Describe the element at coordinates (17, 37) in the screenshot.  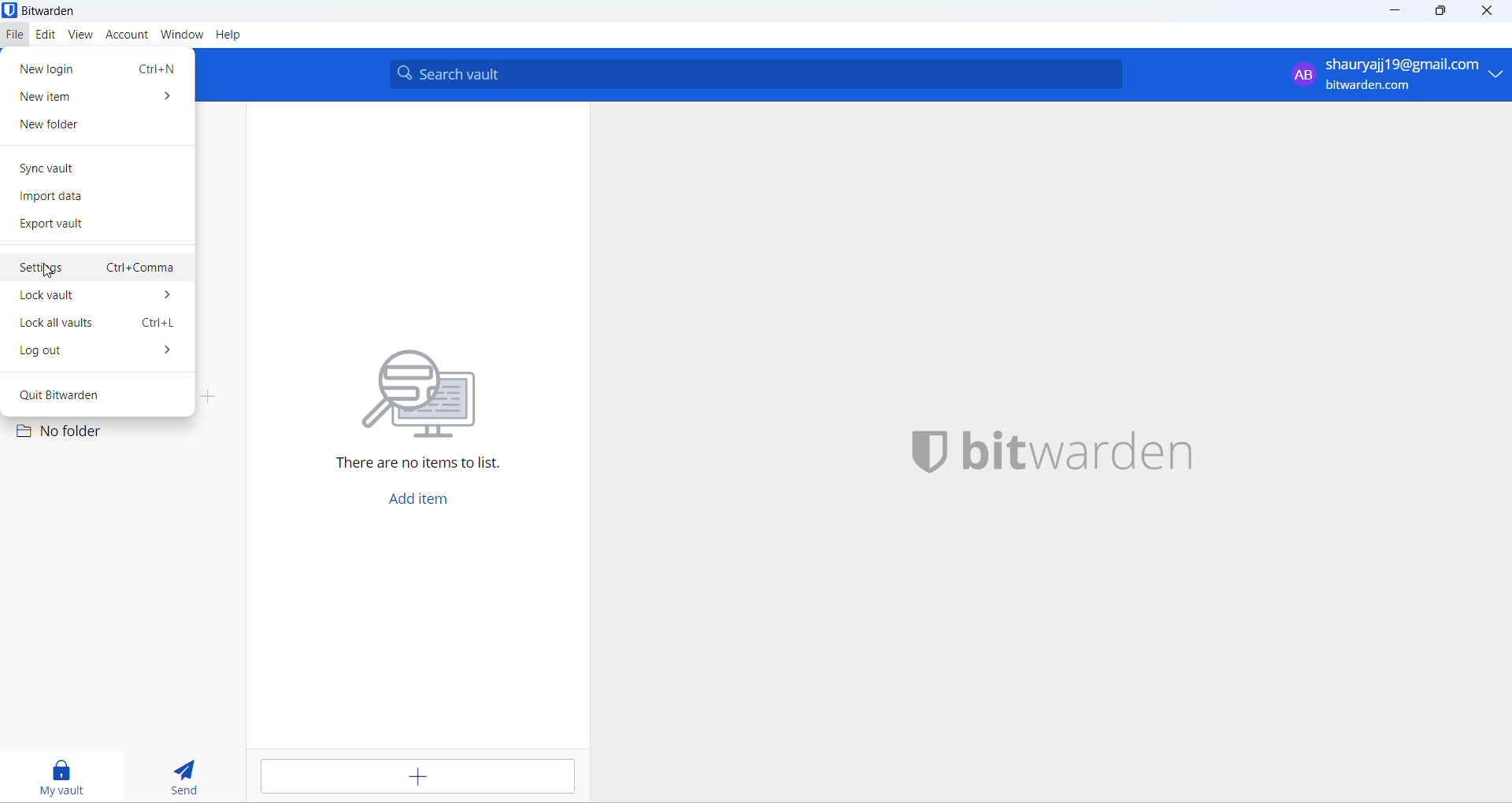
I see `file ` at that location.